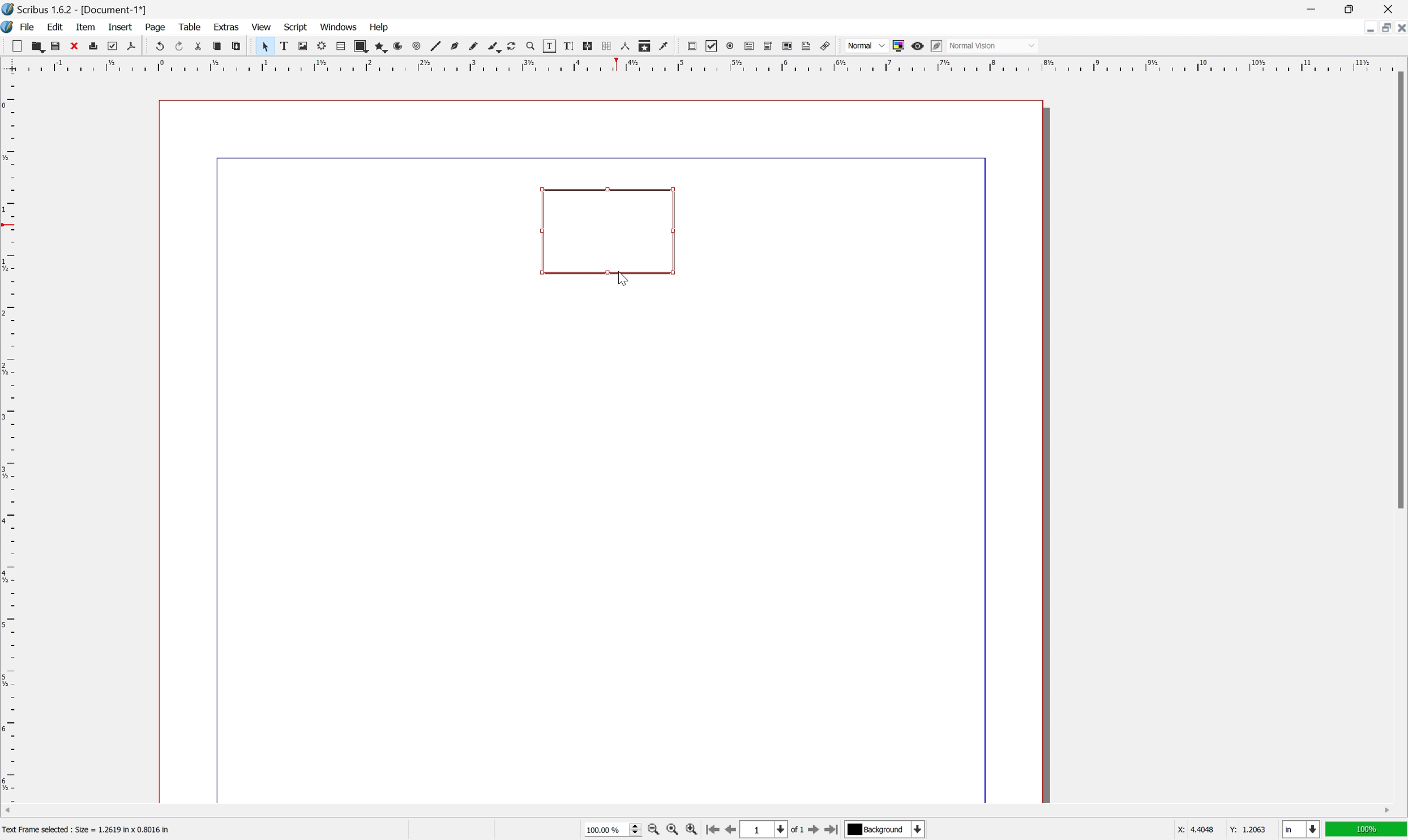 This screenshot has height=840, width=1408. I want to click on save as pdf, so click(132, 46).